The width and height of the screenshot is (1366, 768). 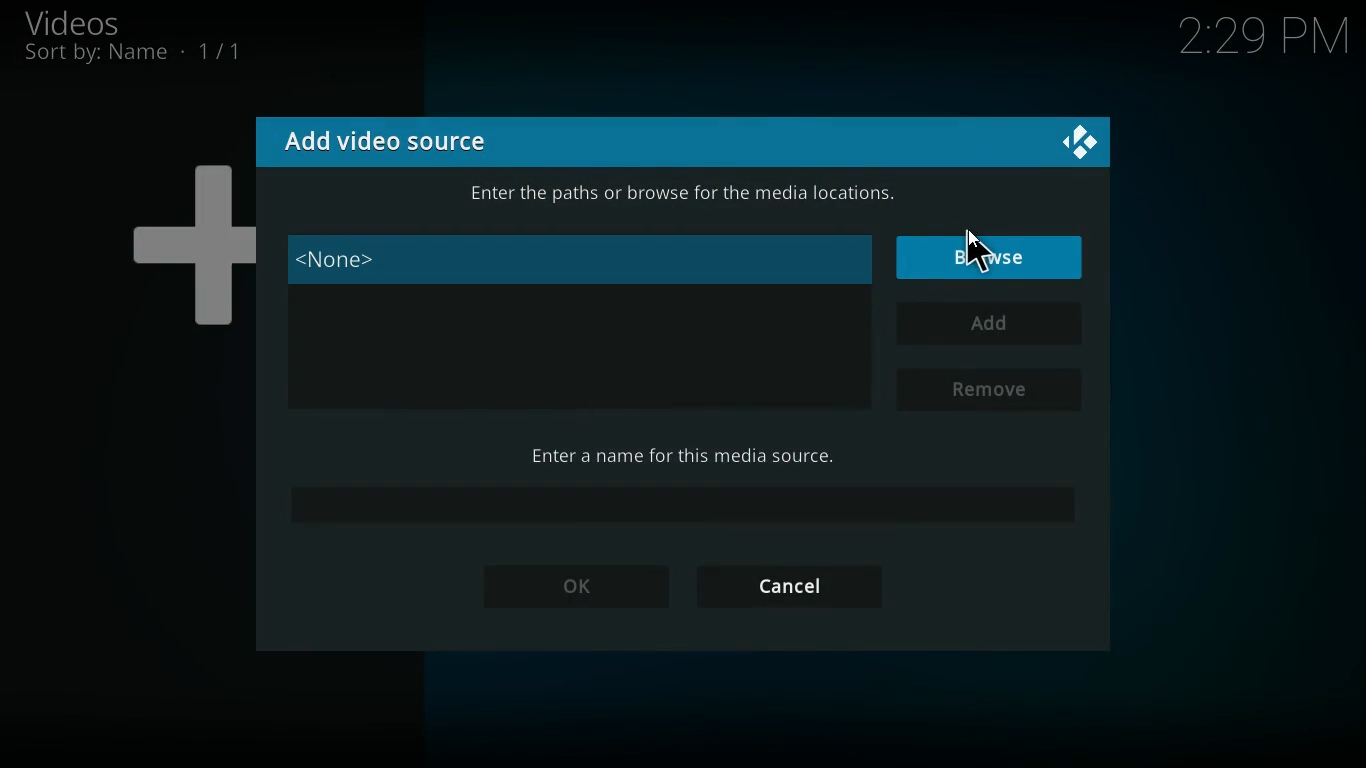 I want to click on cancel, so click(x=798, y=587).